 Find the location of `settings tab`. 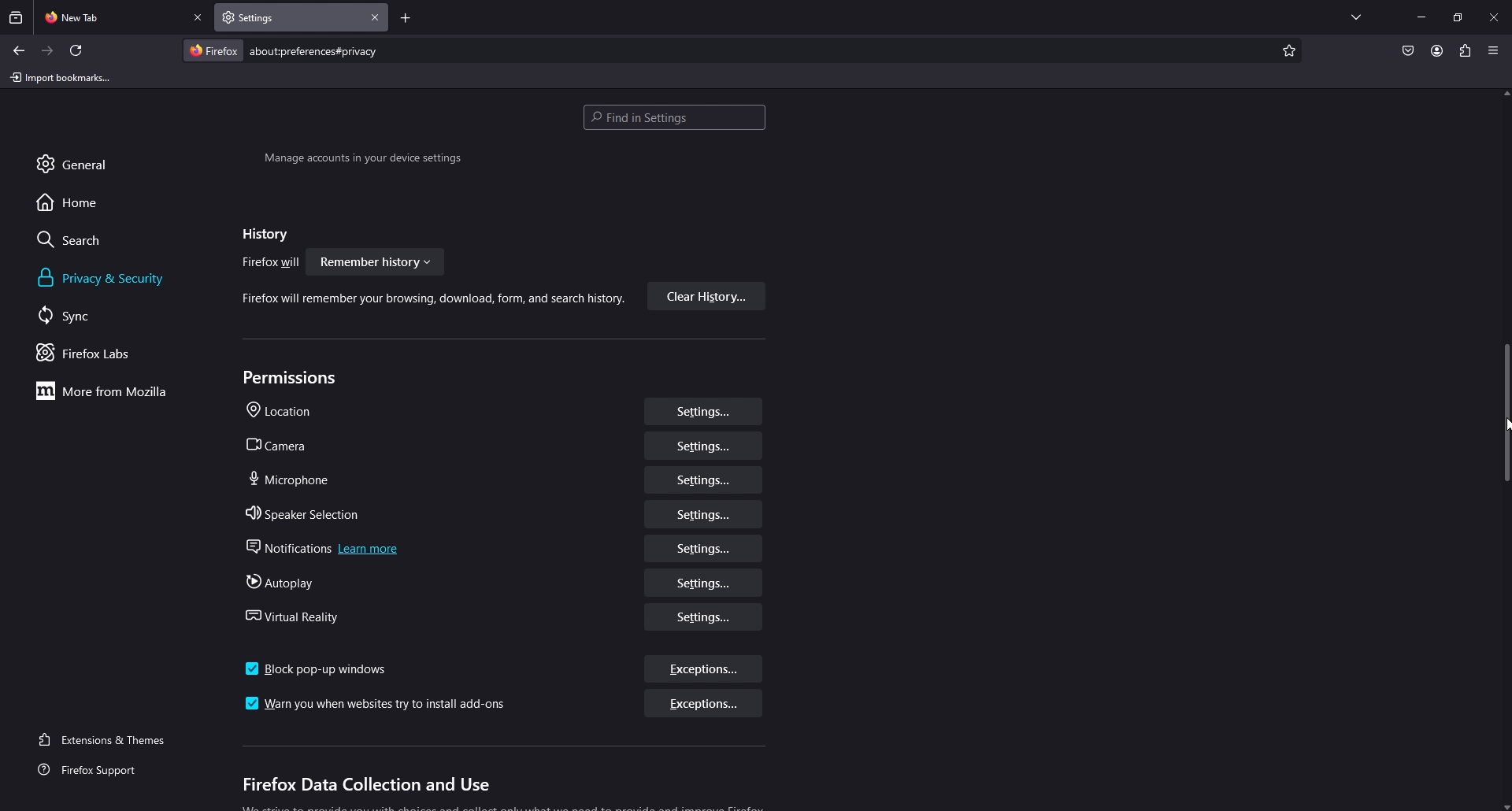

settings tab is located at coordinates (269, 17).